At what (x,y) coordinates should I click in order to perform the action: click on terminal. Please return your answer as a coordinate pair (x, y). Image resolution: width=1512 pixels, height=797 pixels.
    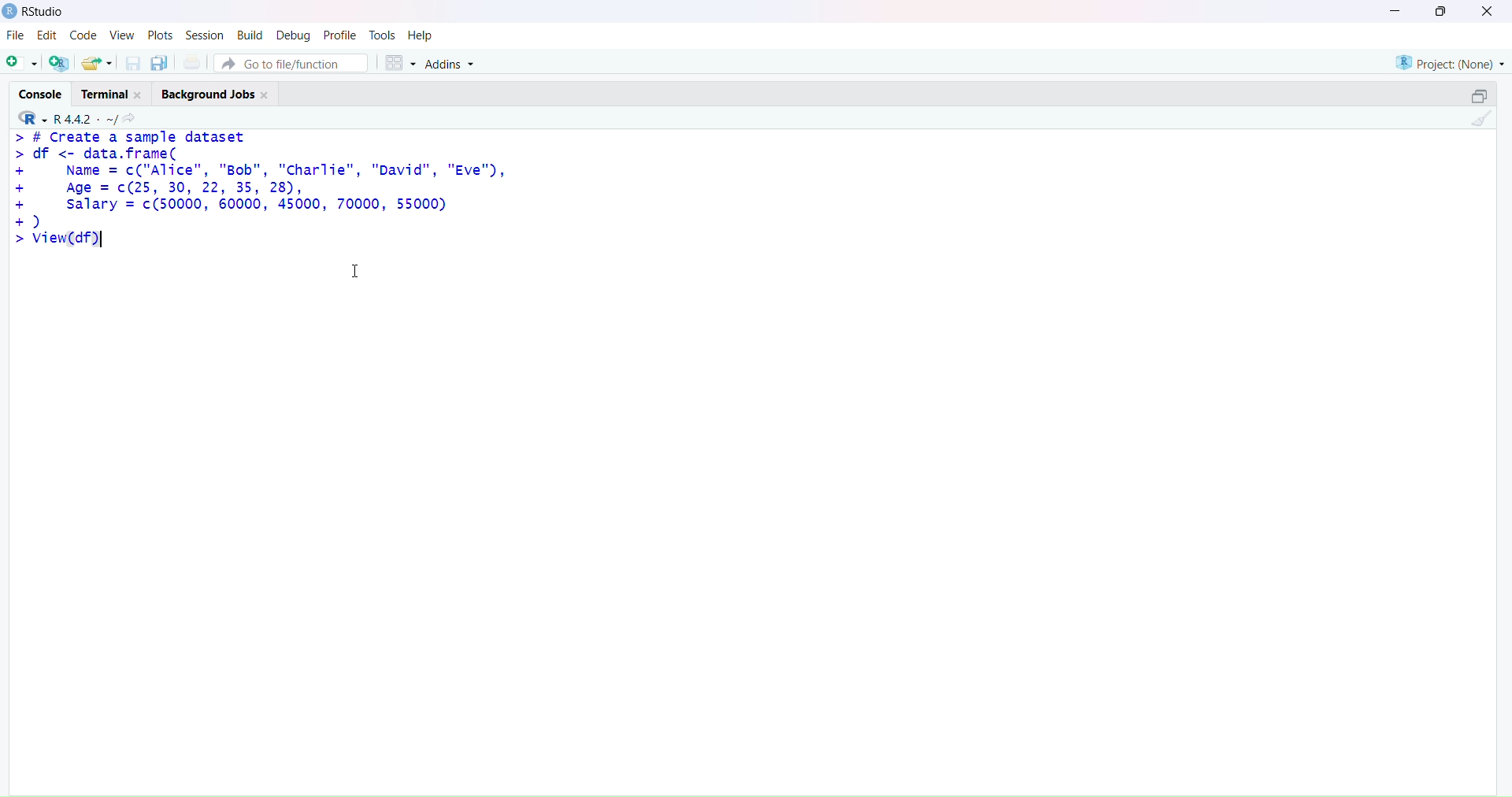
    Looking at the image, I should click on (113, 95).